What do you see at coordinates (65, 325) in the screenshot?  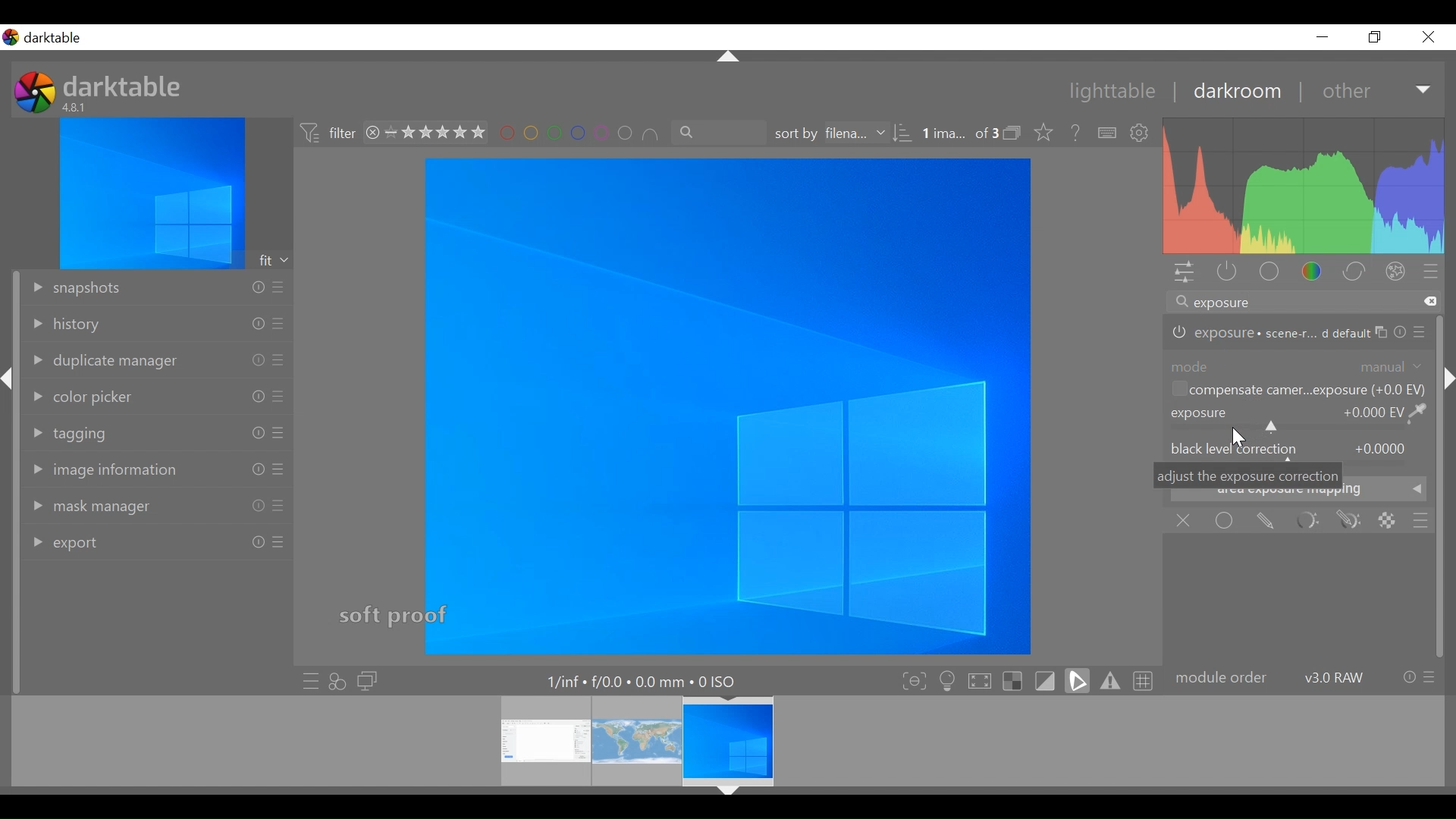 I see `history` at bounding box center [65, 325].